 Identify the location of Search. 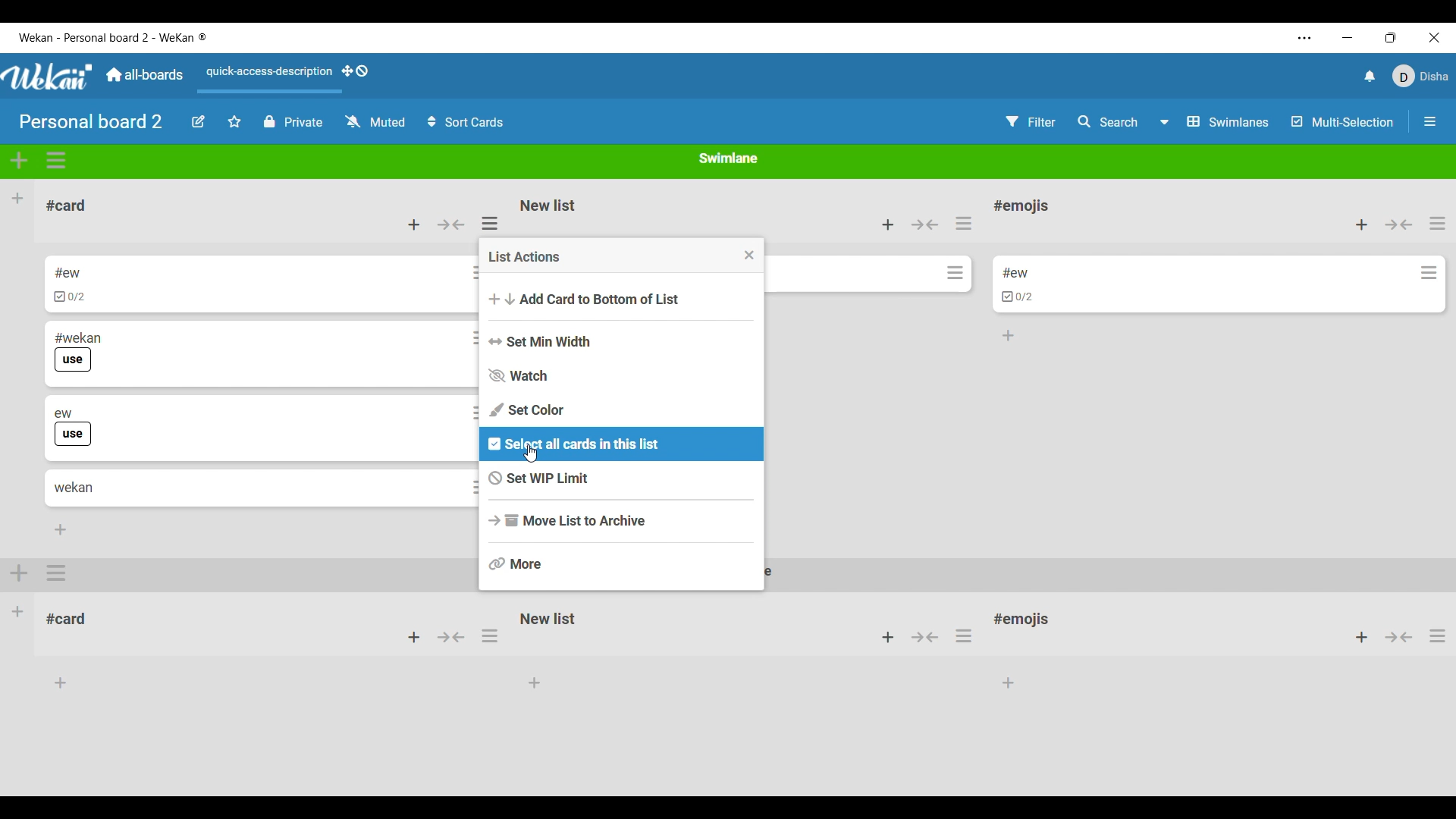
(1108, 121).